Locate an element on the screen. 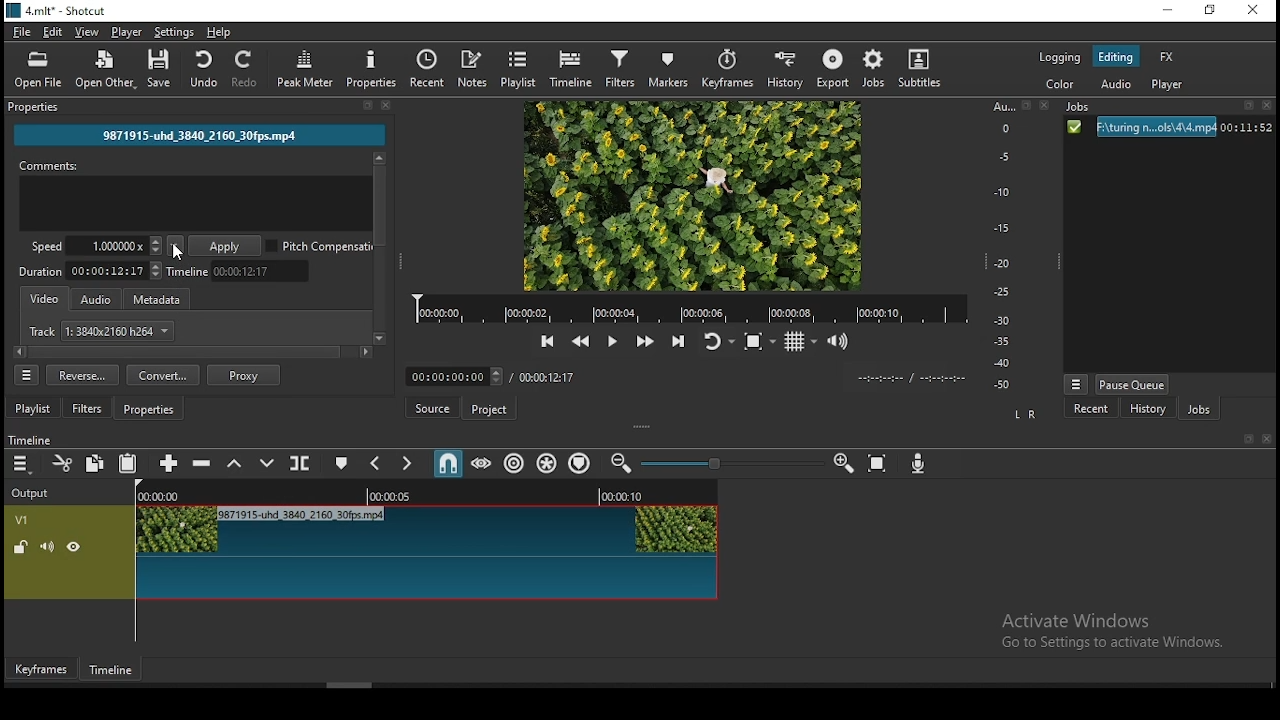 The image size is (1280, 720). lift is located at coordinates (235, 465).